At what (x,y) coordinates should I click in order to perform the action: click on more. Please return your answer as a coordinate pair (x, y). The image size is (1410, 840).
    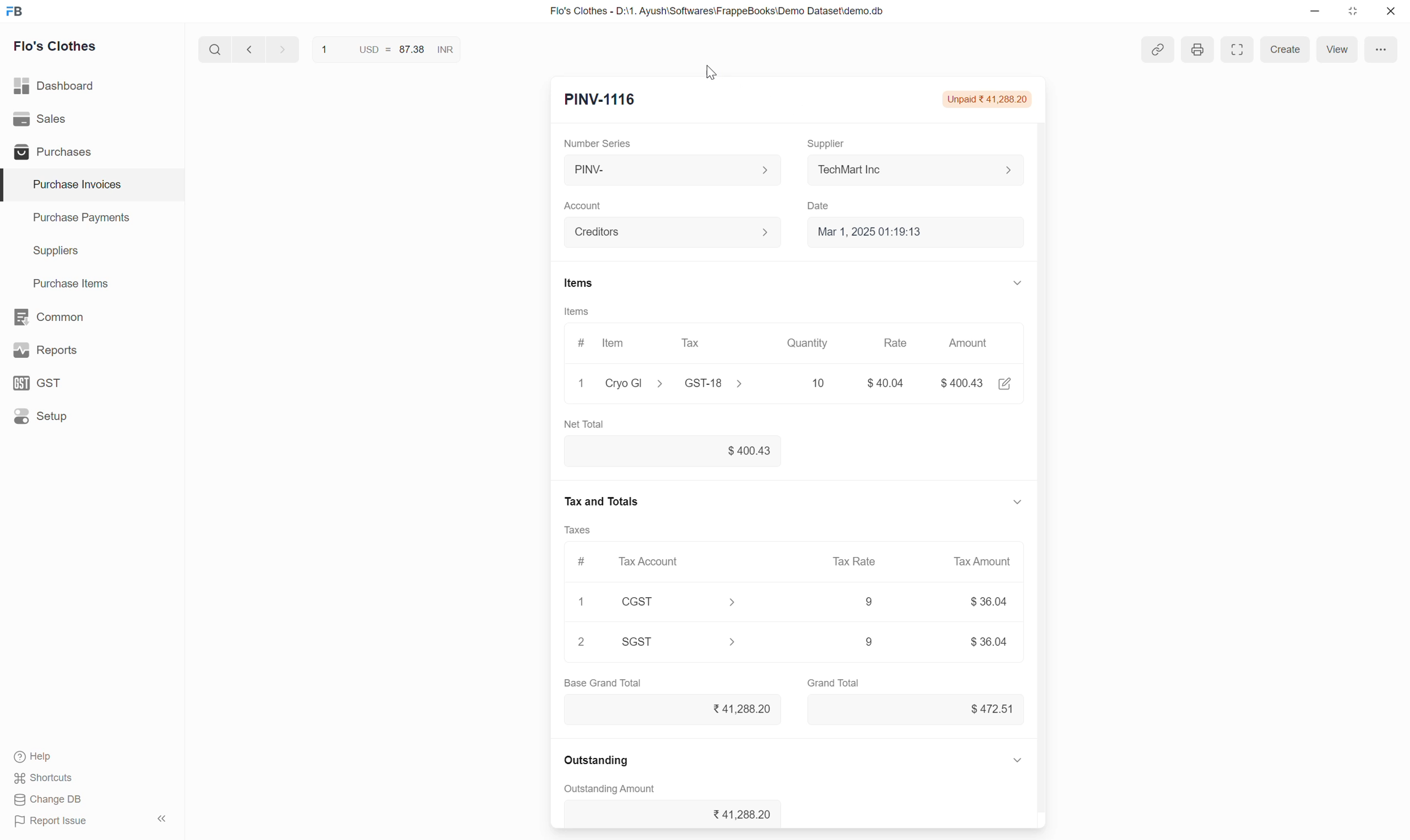
    Looking at the image, I should click on (1383, 49).